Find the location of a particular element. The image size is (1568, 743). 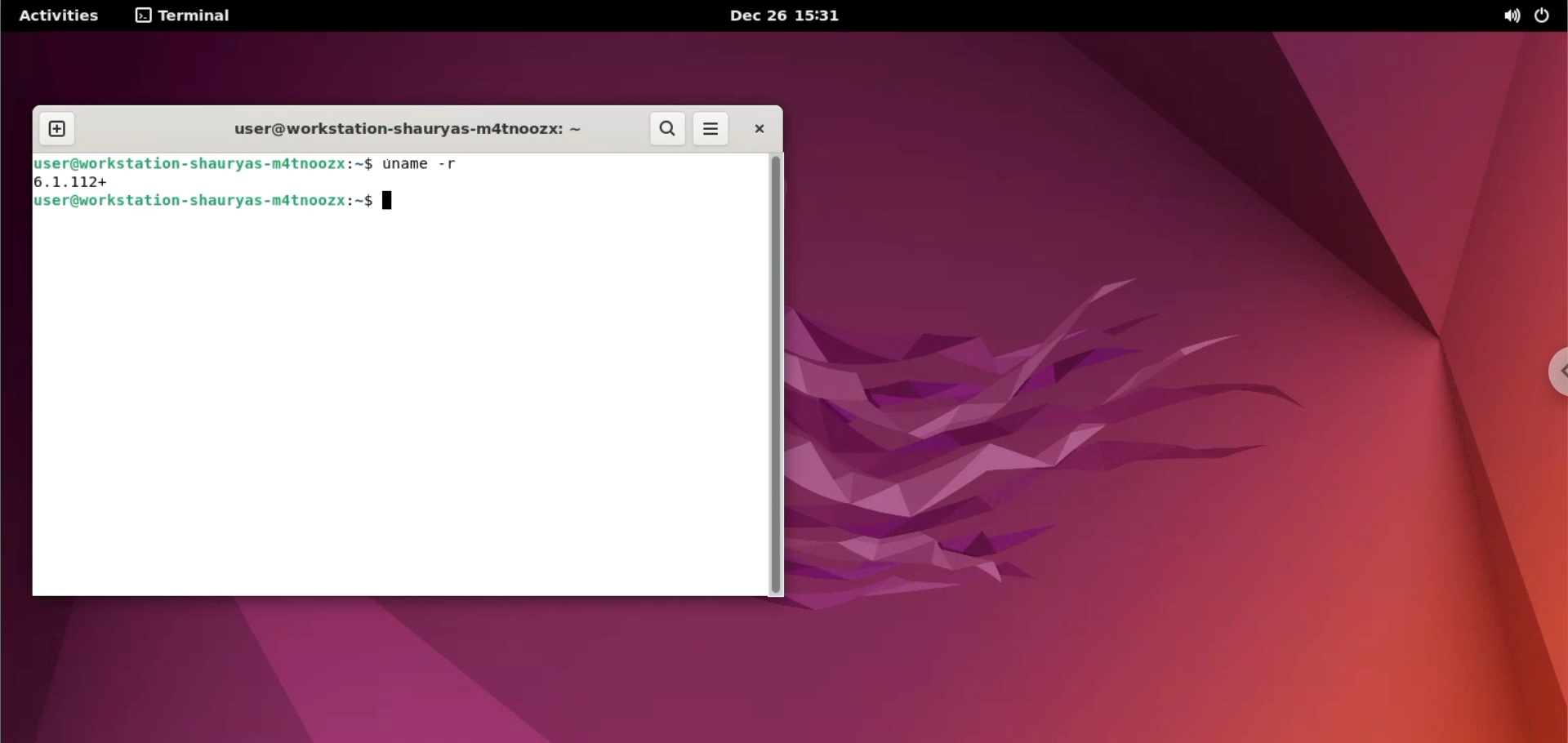

command to check kernel version is located at coordinates (204, 164).